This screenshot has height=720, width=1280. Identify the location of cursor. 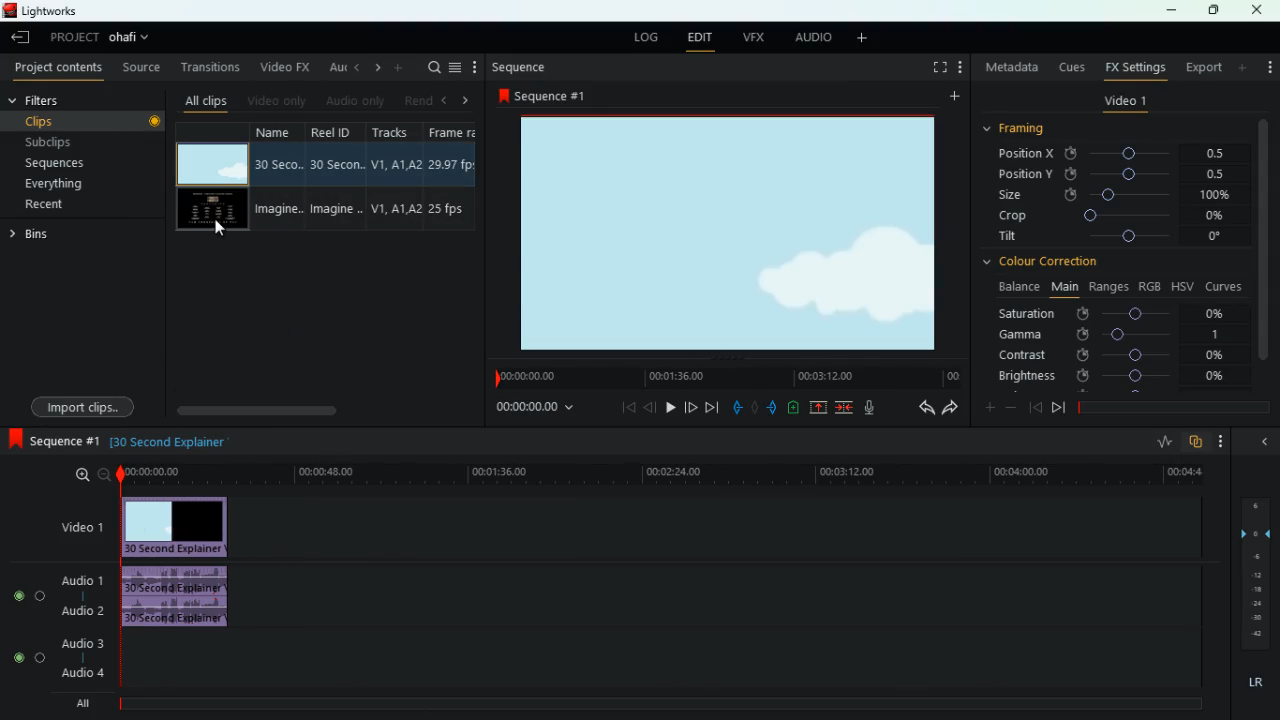
(223, 228).